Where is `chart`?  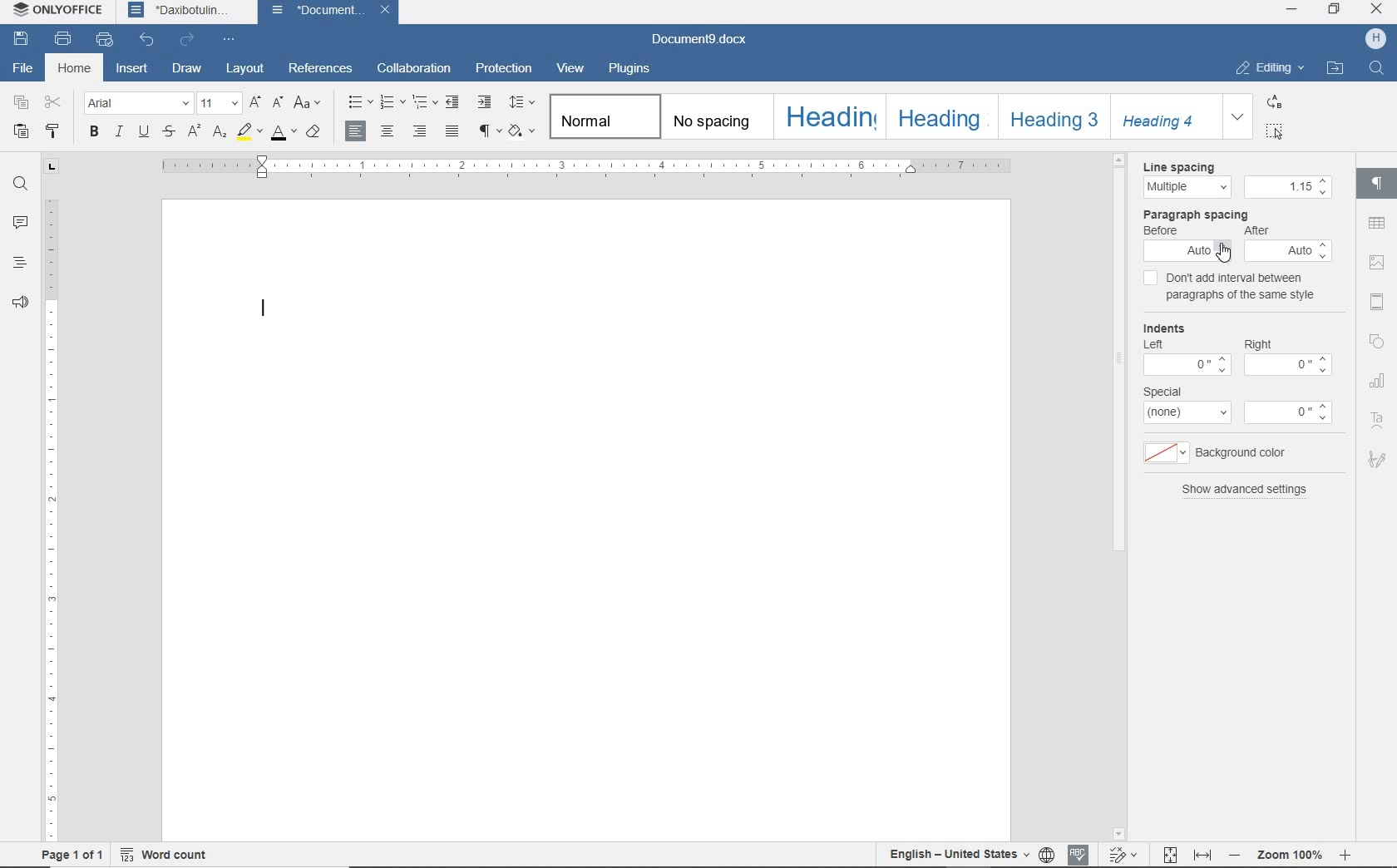 chart is located at coordinates (1378, 382).